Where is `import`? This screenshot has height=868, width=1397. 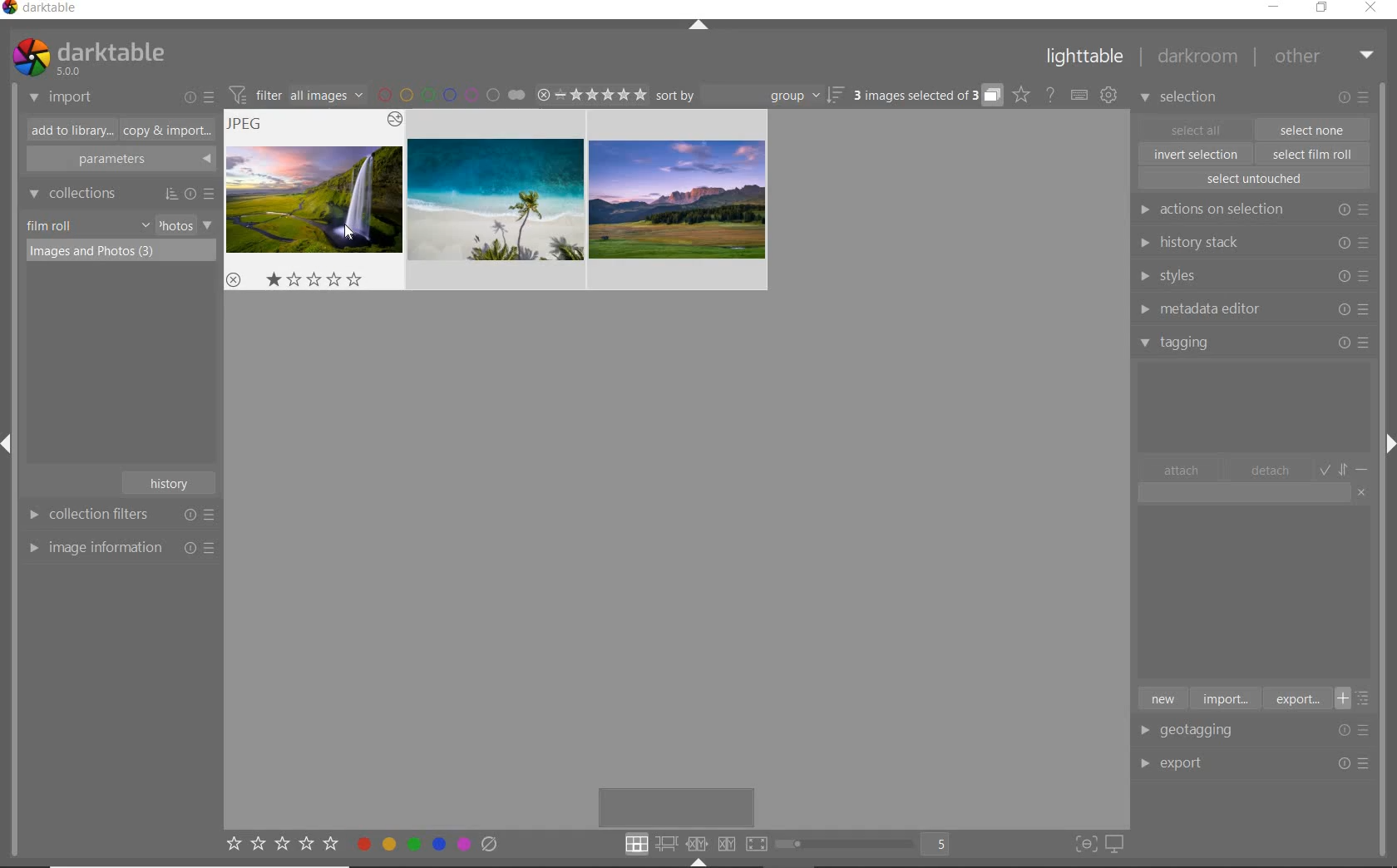
import is located at coordinates (1224, 698).